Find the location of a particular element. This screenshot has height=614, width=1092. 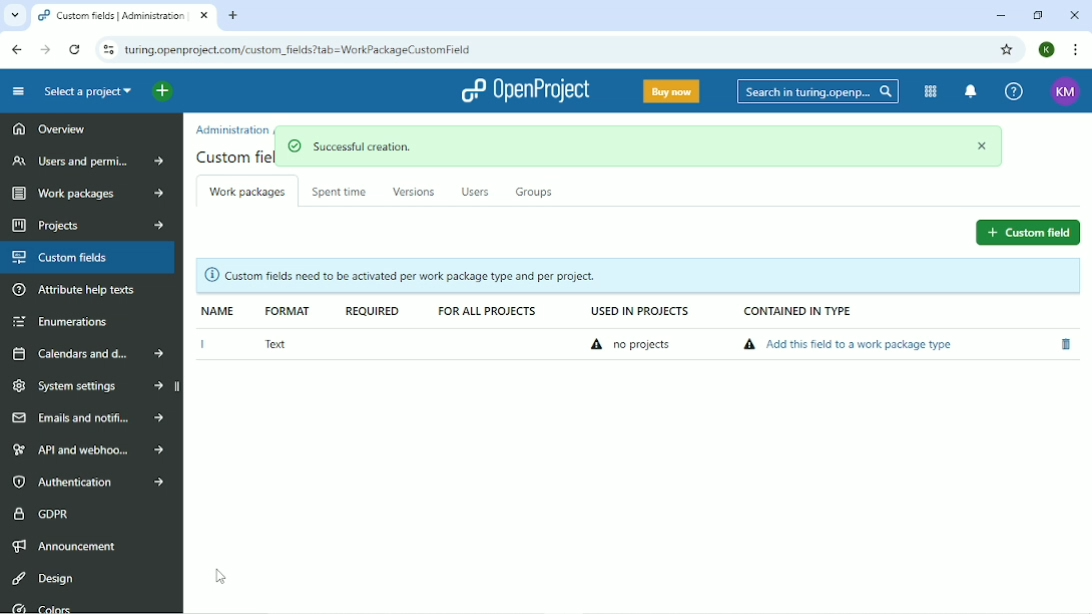

Cursor is located at coordinates (221, 576).